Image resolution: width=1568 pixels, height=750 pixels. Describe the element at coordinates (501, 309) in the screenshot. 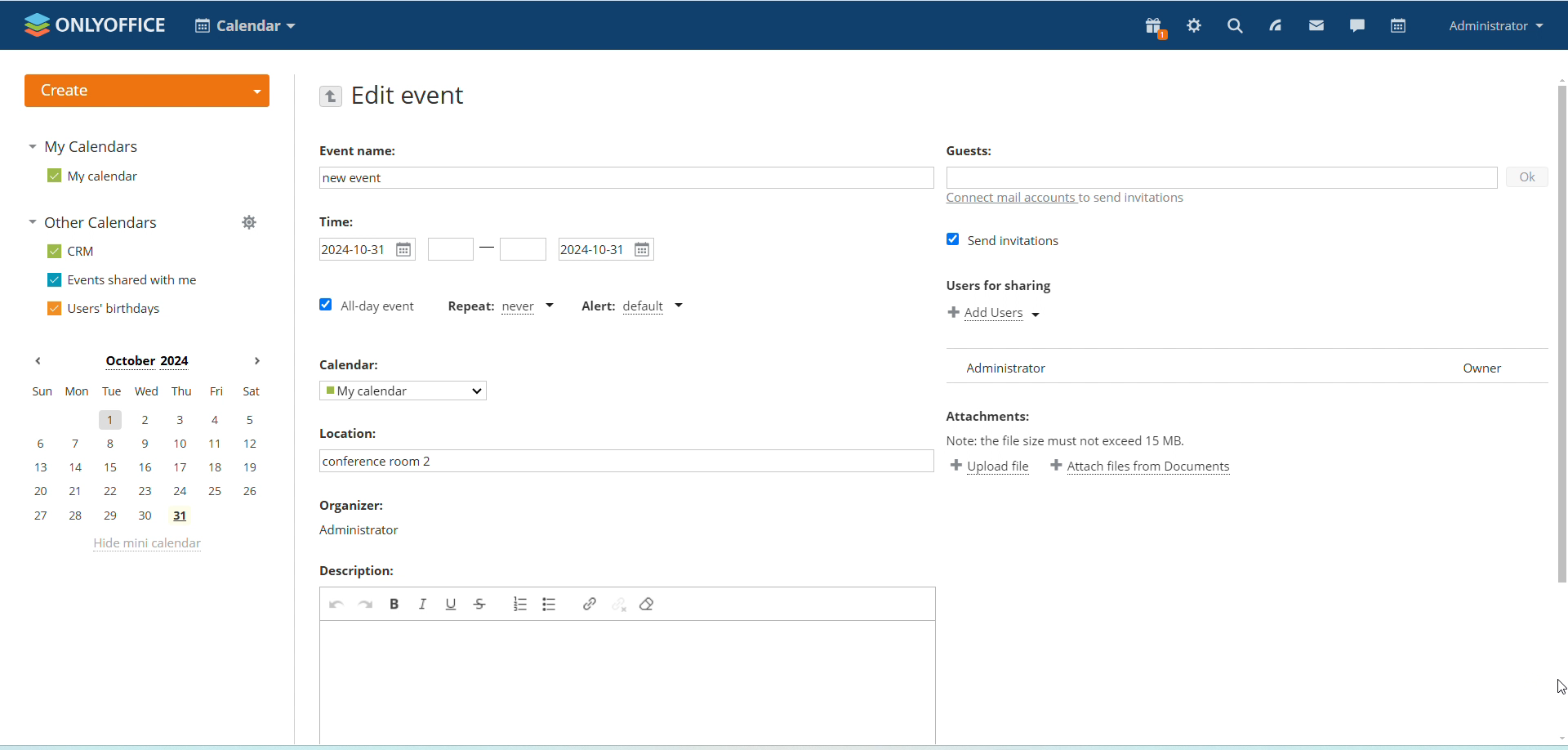

I see `event repetition` at that location.